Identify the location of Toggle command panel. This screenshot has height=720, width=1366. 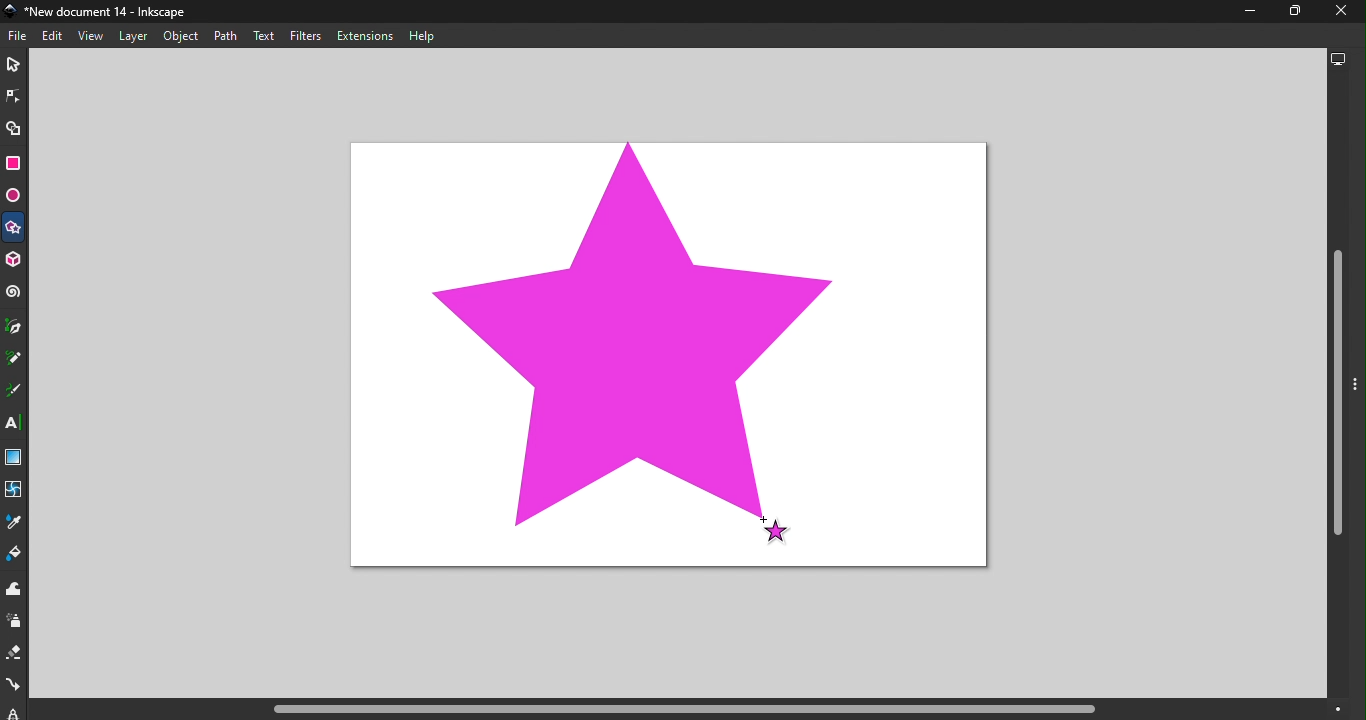
(1358, 398).